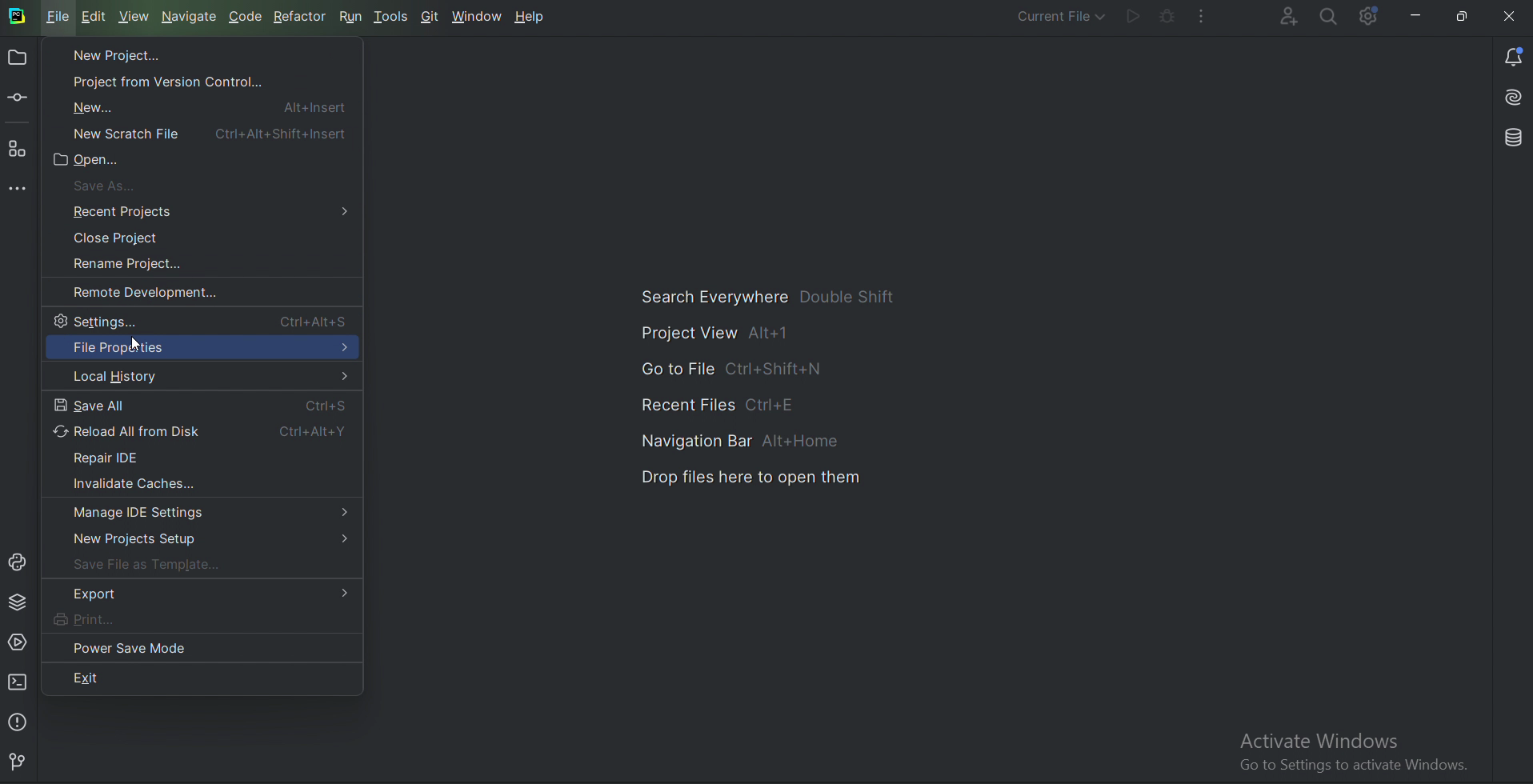  I want to click on View, so click(134, 17).